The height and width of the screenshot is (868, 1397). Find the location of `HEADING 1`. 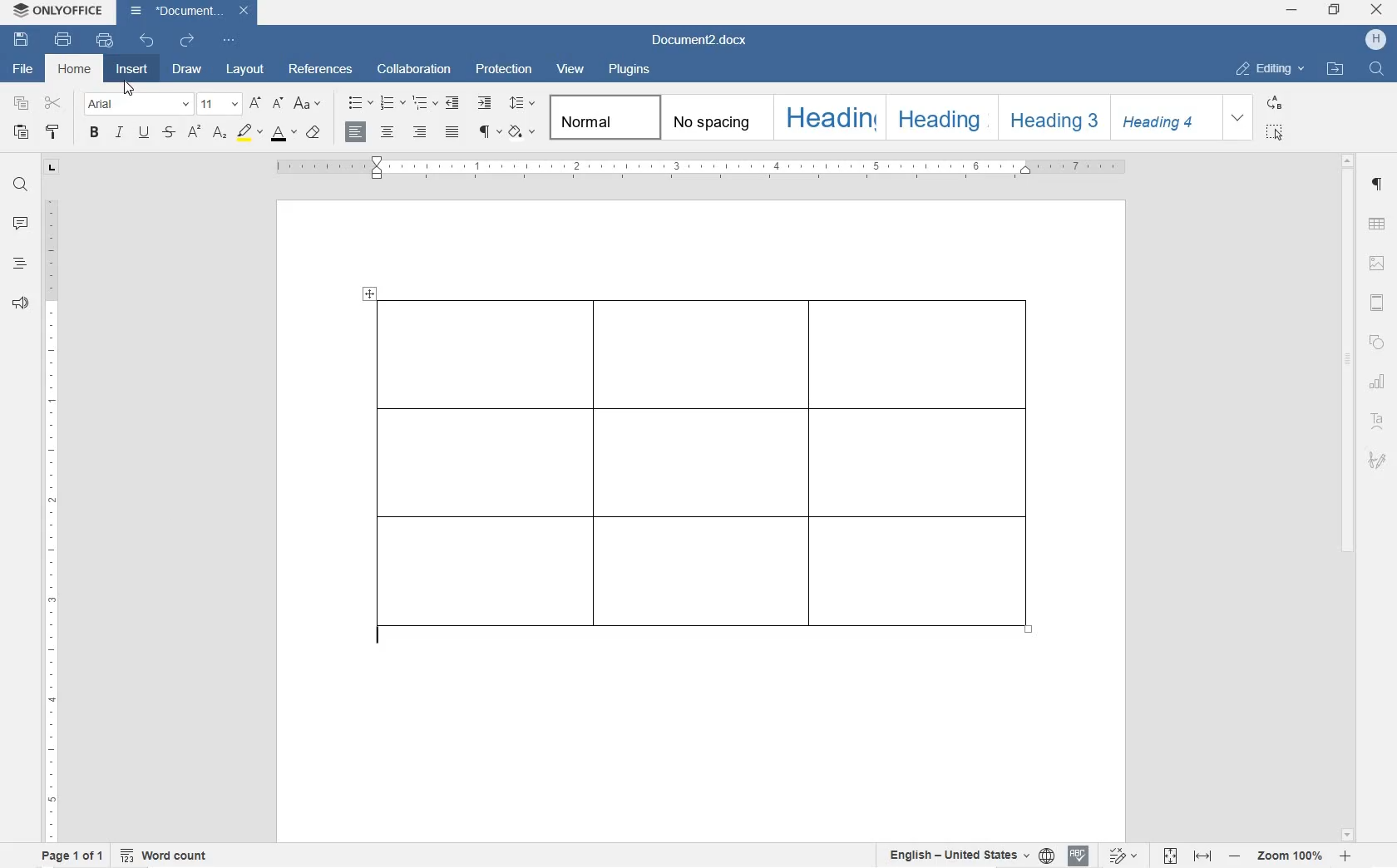

HEADING 1 is located at coordinates (828, 118).